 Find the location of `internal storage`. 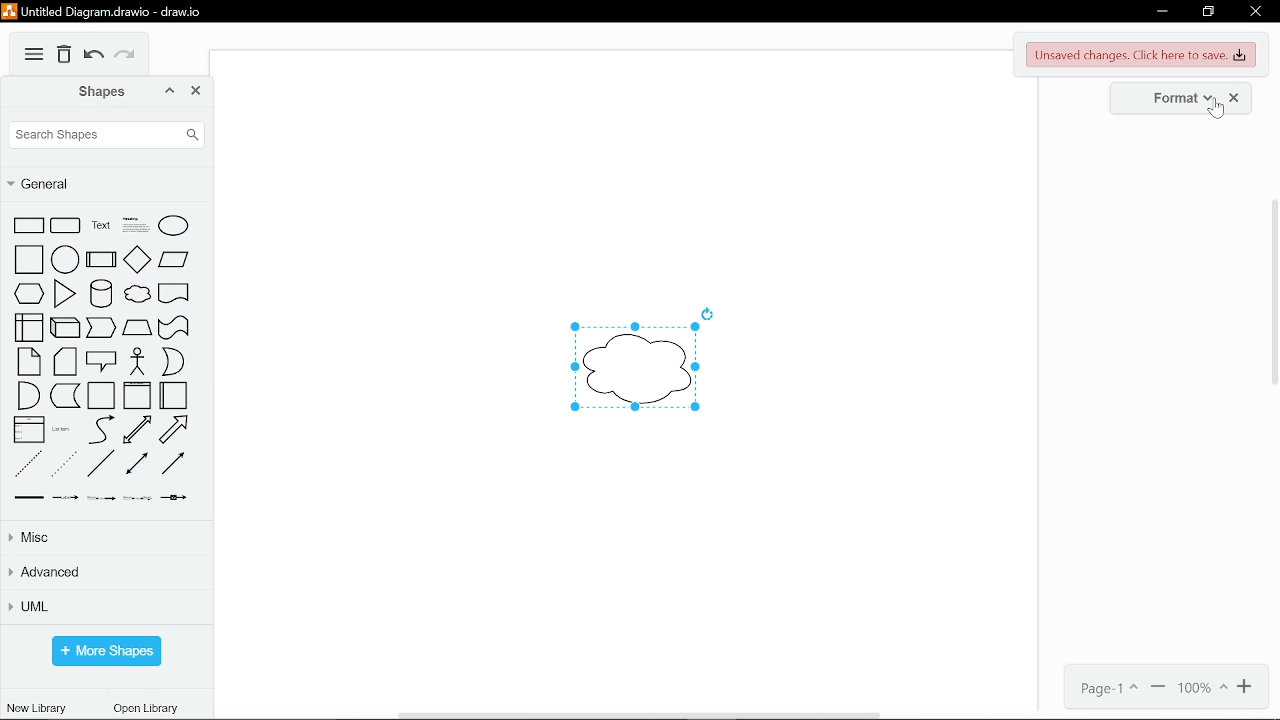

internal storage is located at coordinates (29, 328).